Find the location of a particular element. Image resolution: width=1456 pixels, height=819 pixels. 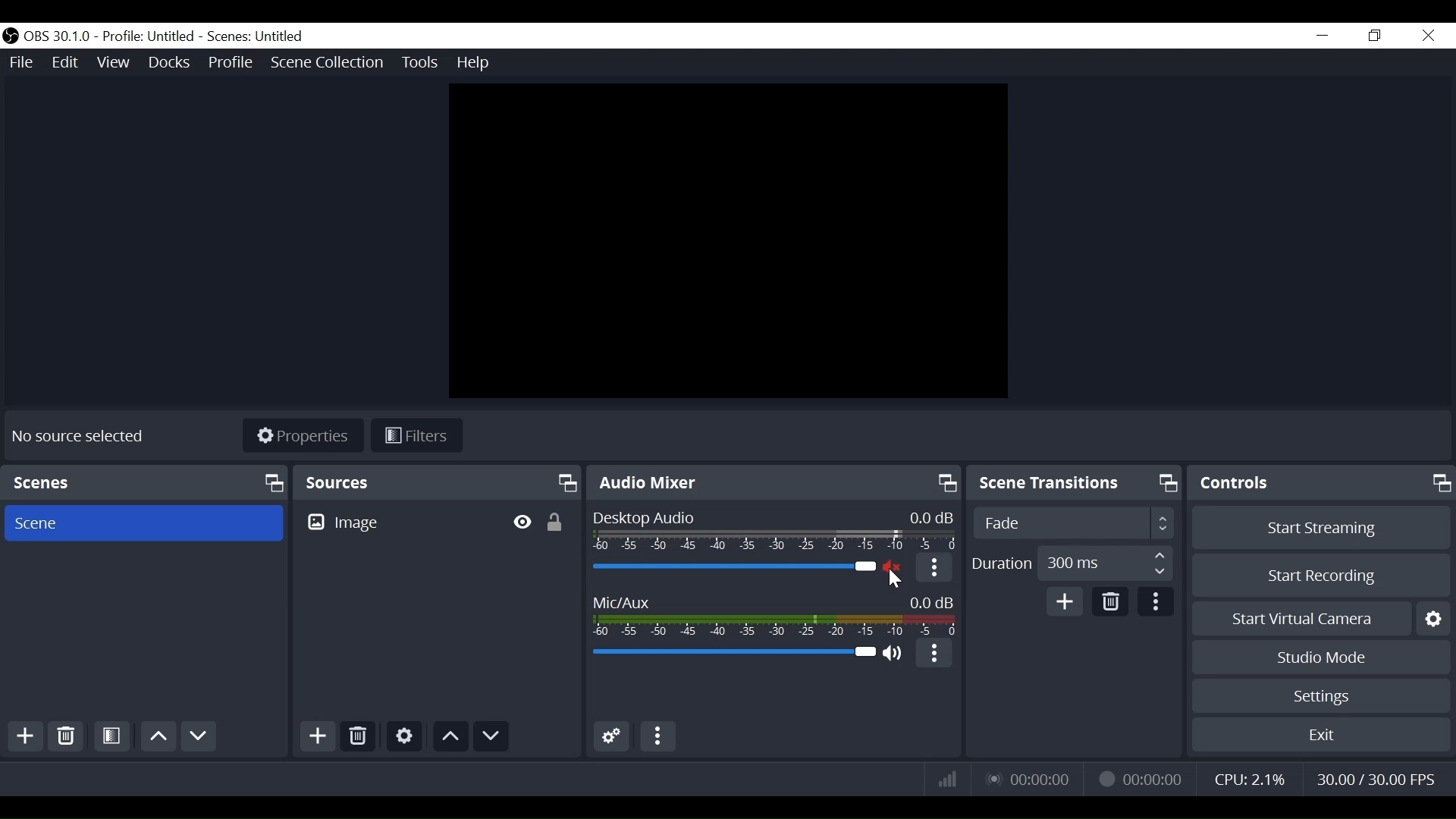

More Options is located at coordinates (658, 737).